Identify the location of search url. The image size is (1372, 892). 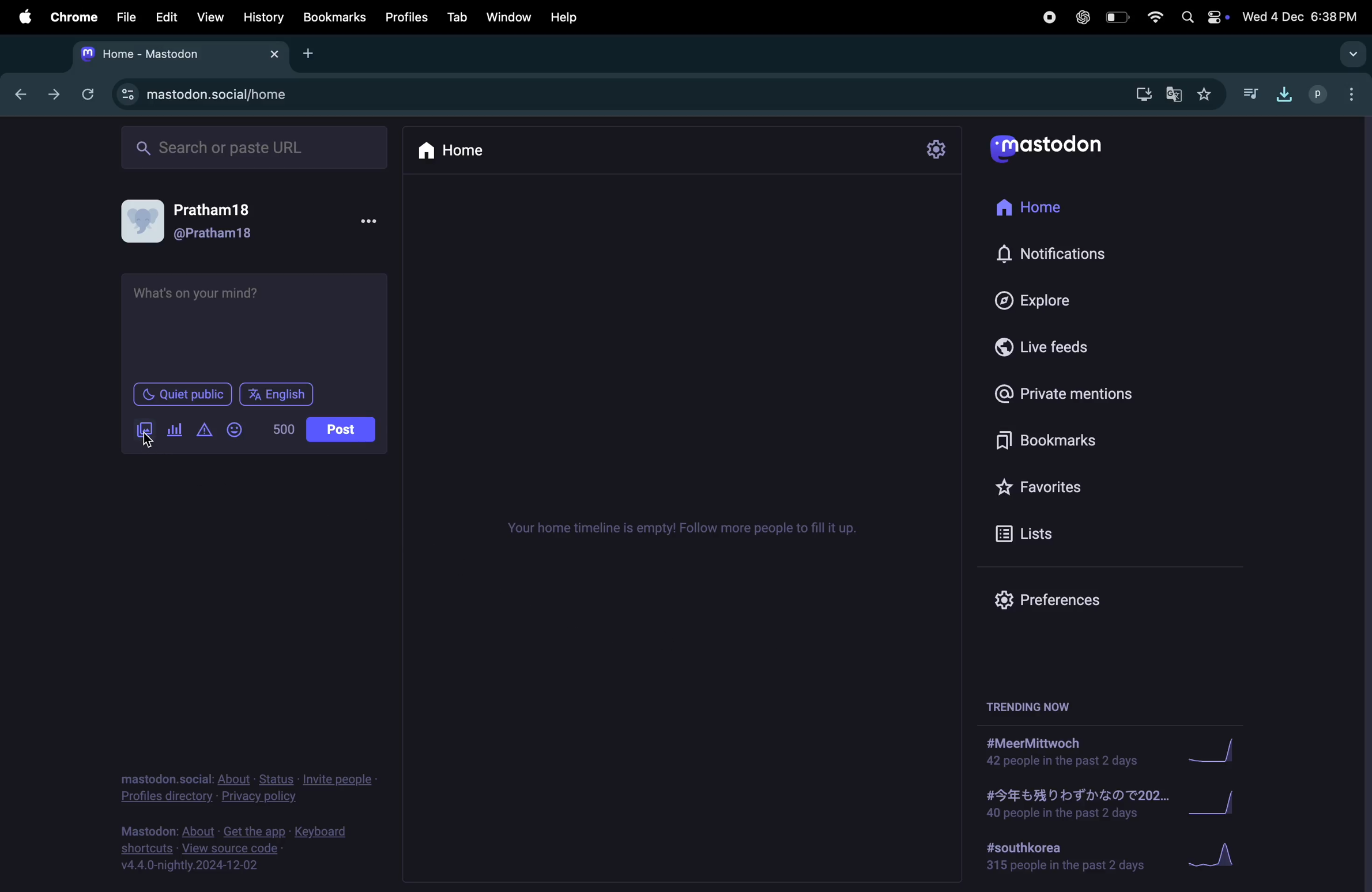
(251, 148).